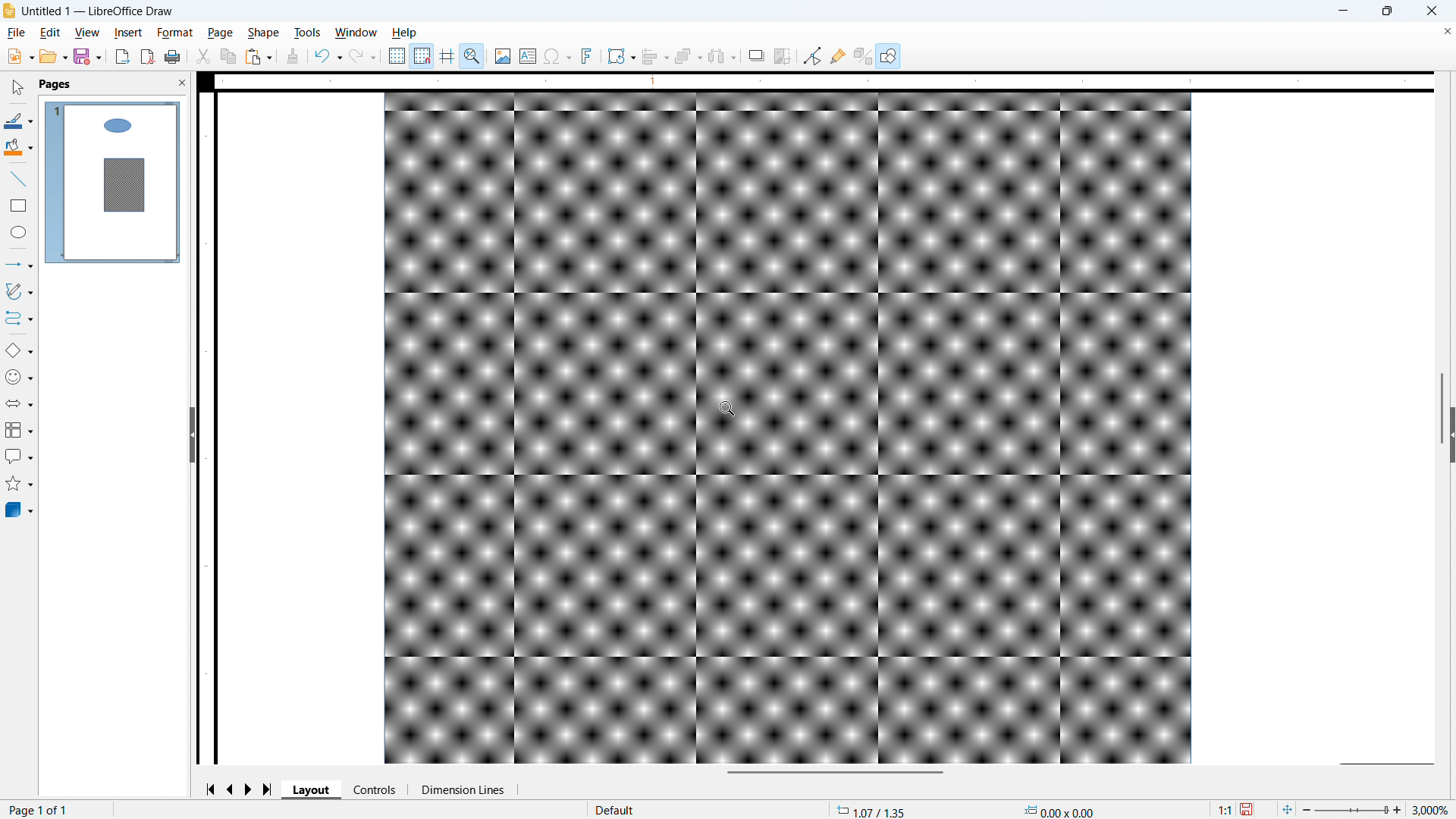 The width and height of the screenshot is (1456, 819). I want to click on Symbol shapes , so click(20, 378).